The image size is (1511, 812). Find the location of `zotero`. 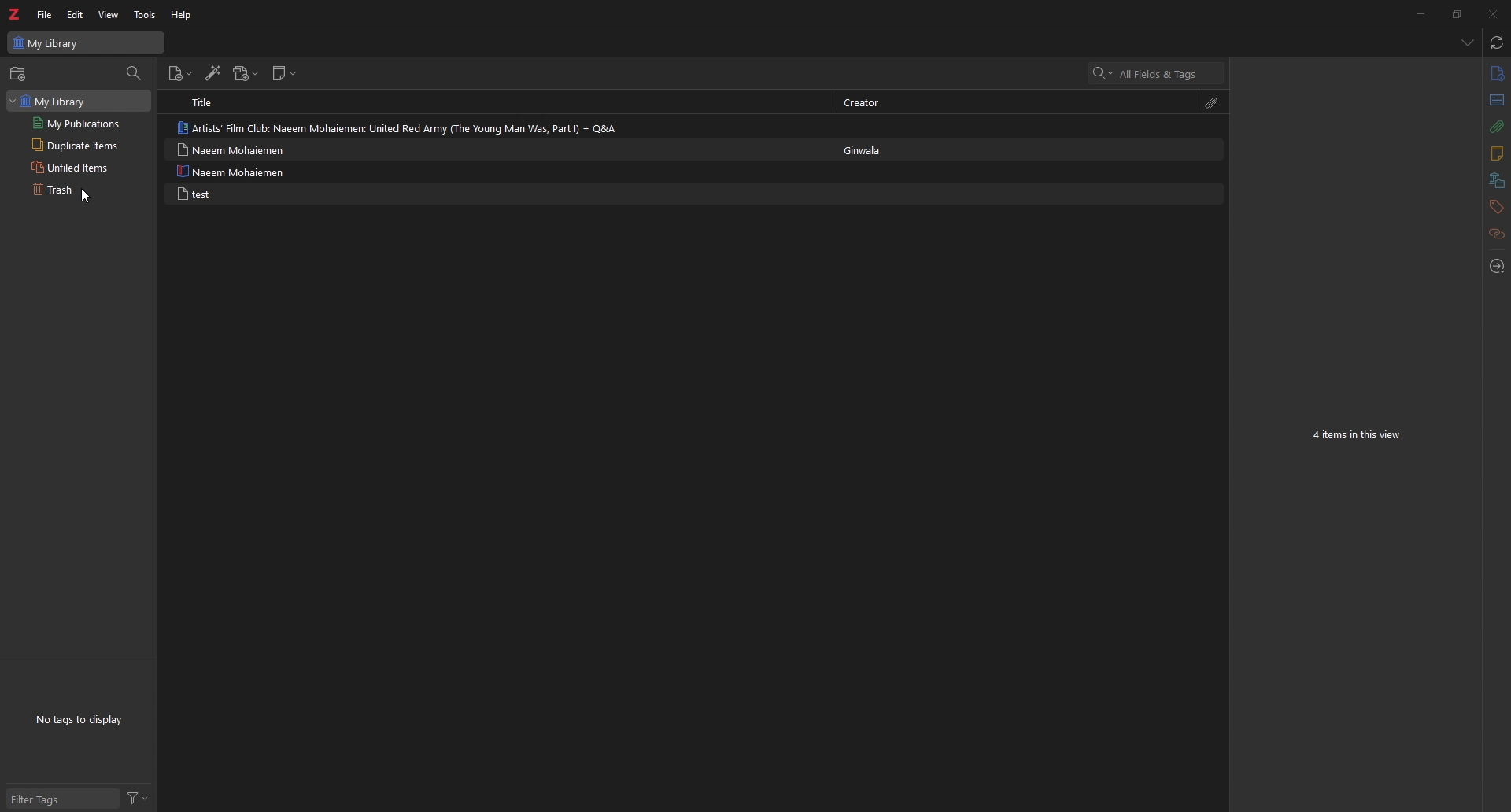

zotero is located at coordinates (13, 15).